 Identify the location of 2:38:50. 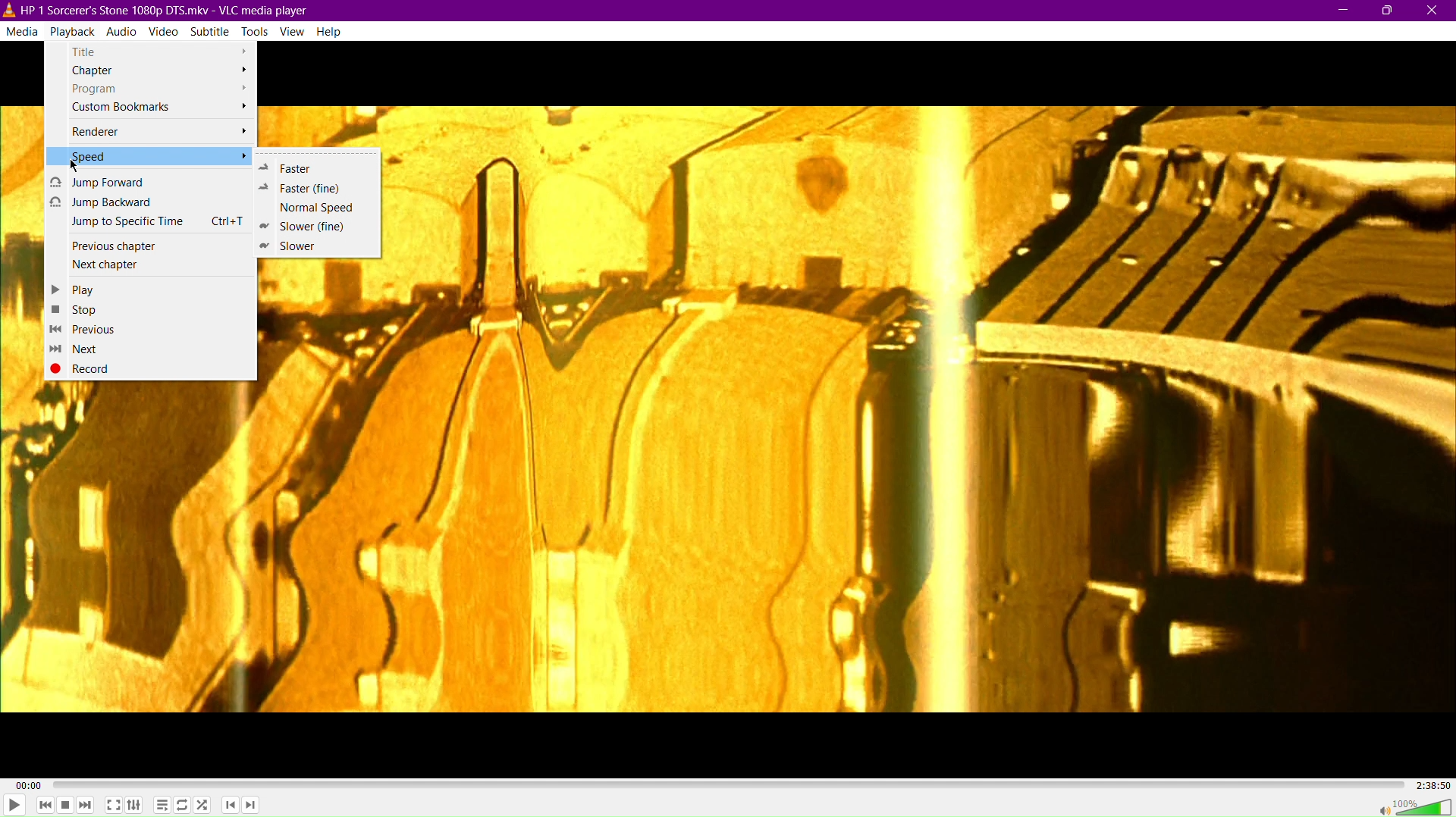
(1429, 784).